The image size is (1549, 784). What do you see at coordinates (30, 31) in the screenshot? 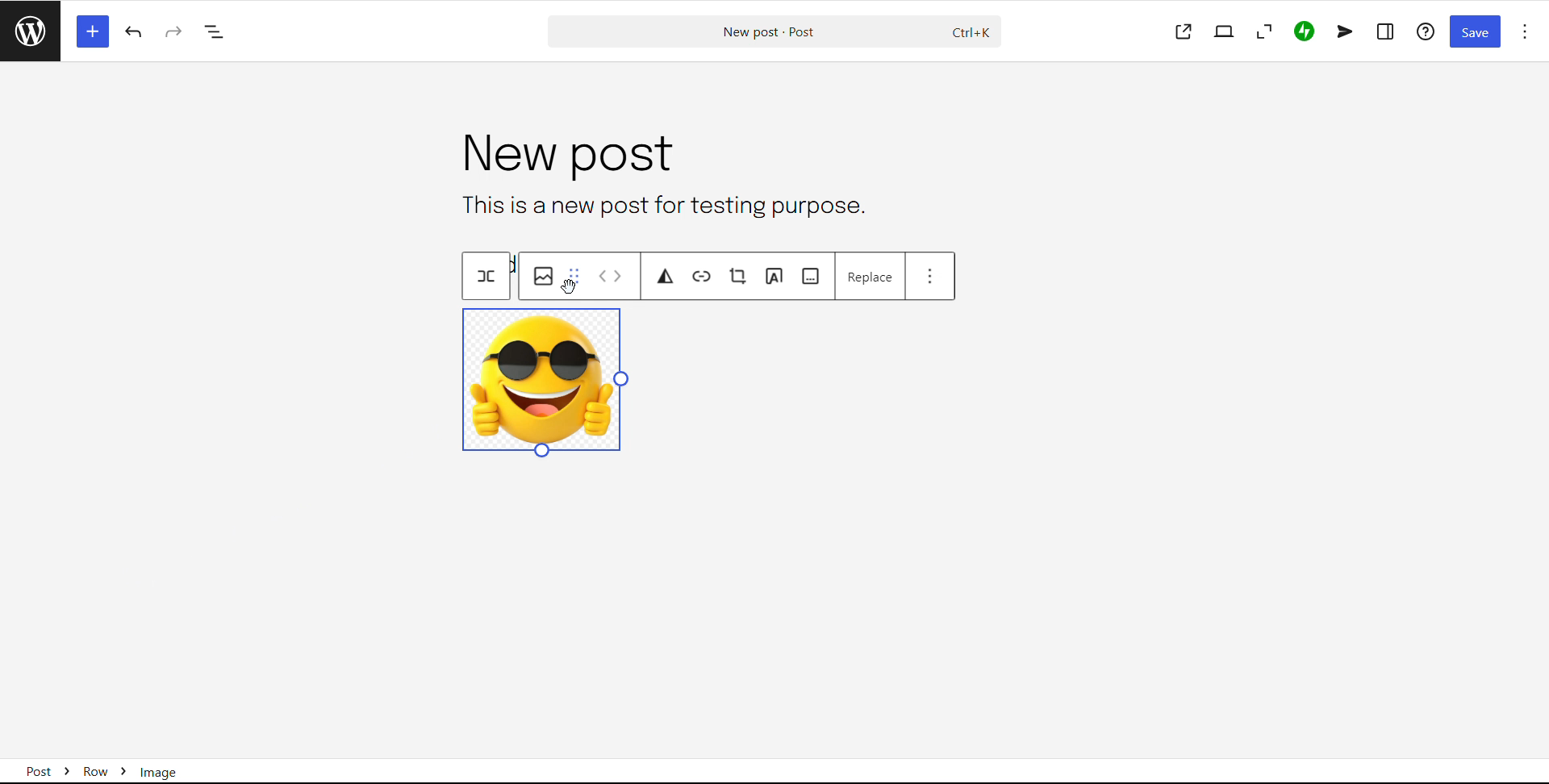
I see `read posts` at bounding box center [30, 31].